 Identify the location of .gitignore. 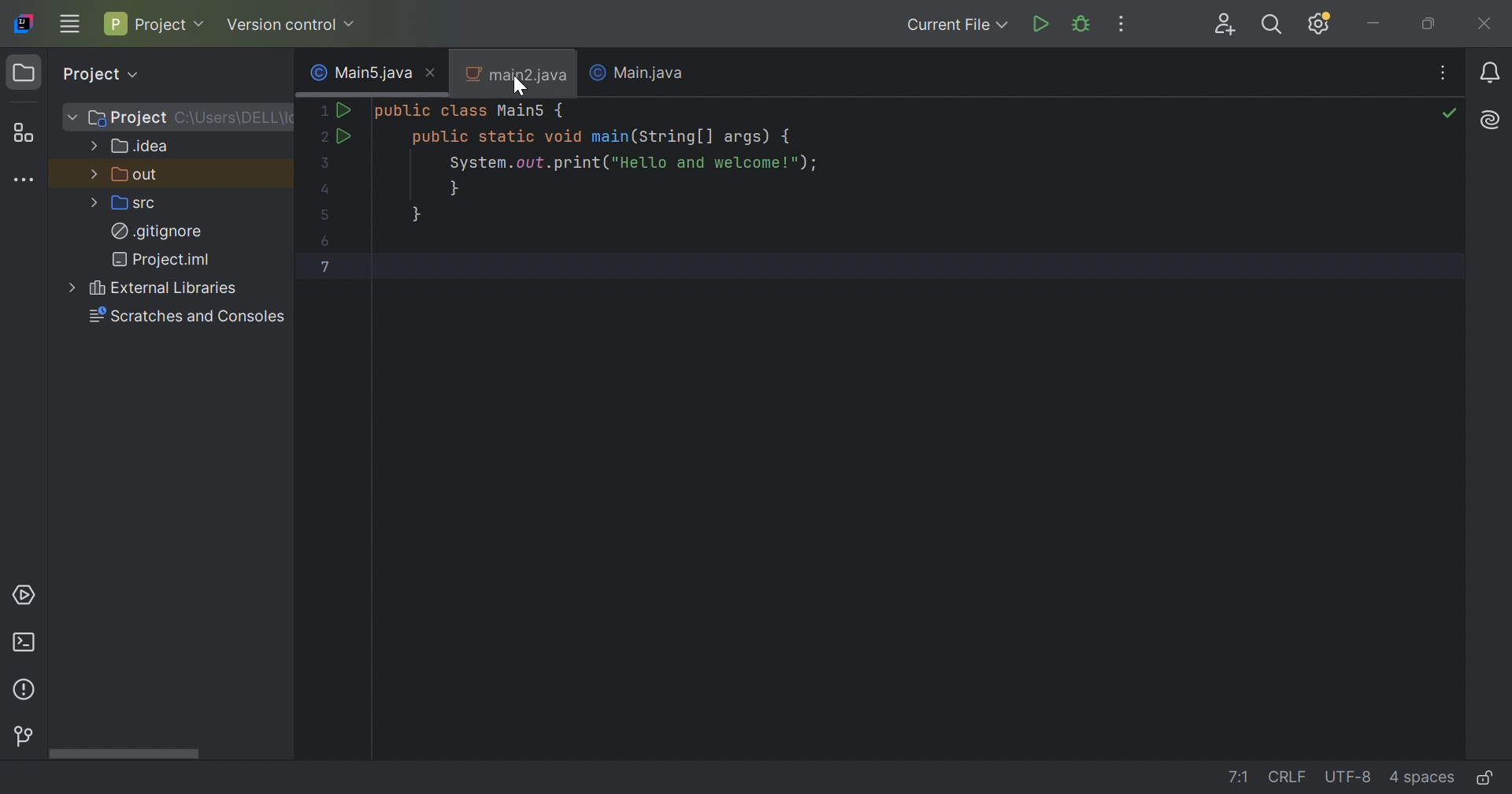
(156, 231).